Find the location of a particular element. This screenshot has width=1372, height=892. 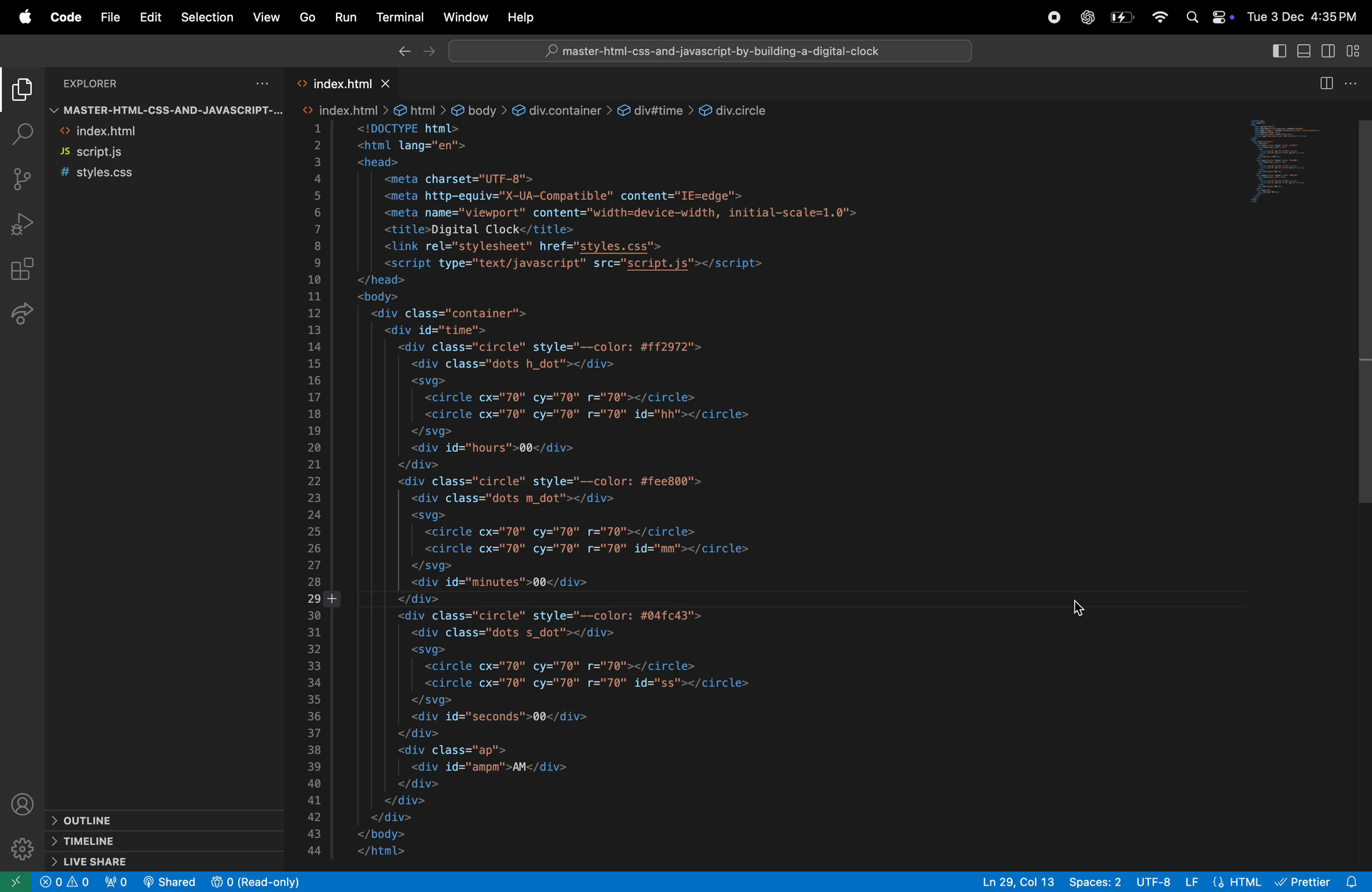

toggle secondary sidebar is located at coordinates (1330, 50).